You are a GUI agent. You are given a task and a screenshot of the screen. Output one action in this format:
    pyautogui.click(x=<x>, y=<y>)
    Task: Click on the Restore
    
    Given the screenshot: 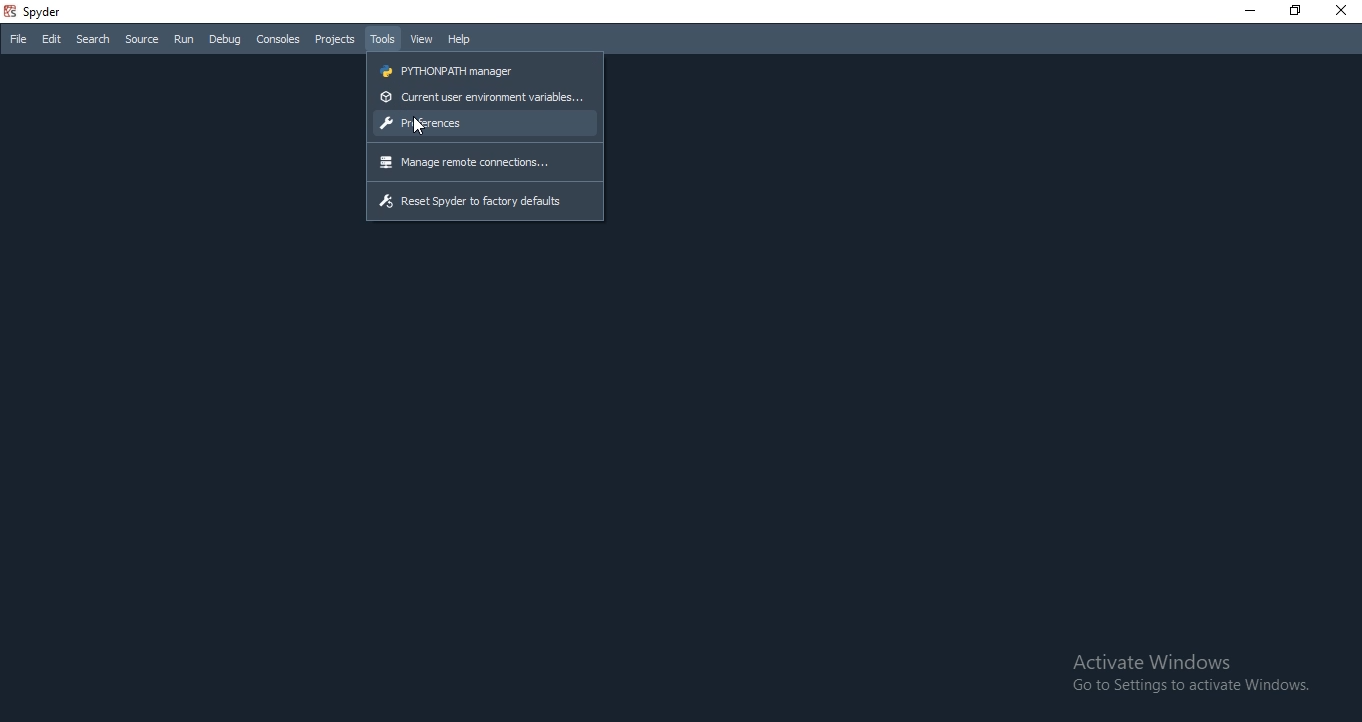 What is the action you would take?
    pyautogui.click(x=1296, y=10)
    